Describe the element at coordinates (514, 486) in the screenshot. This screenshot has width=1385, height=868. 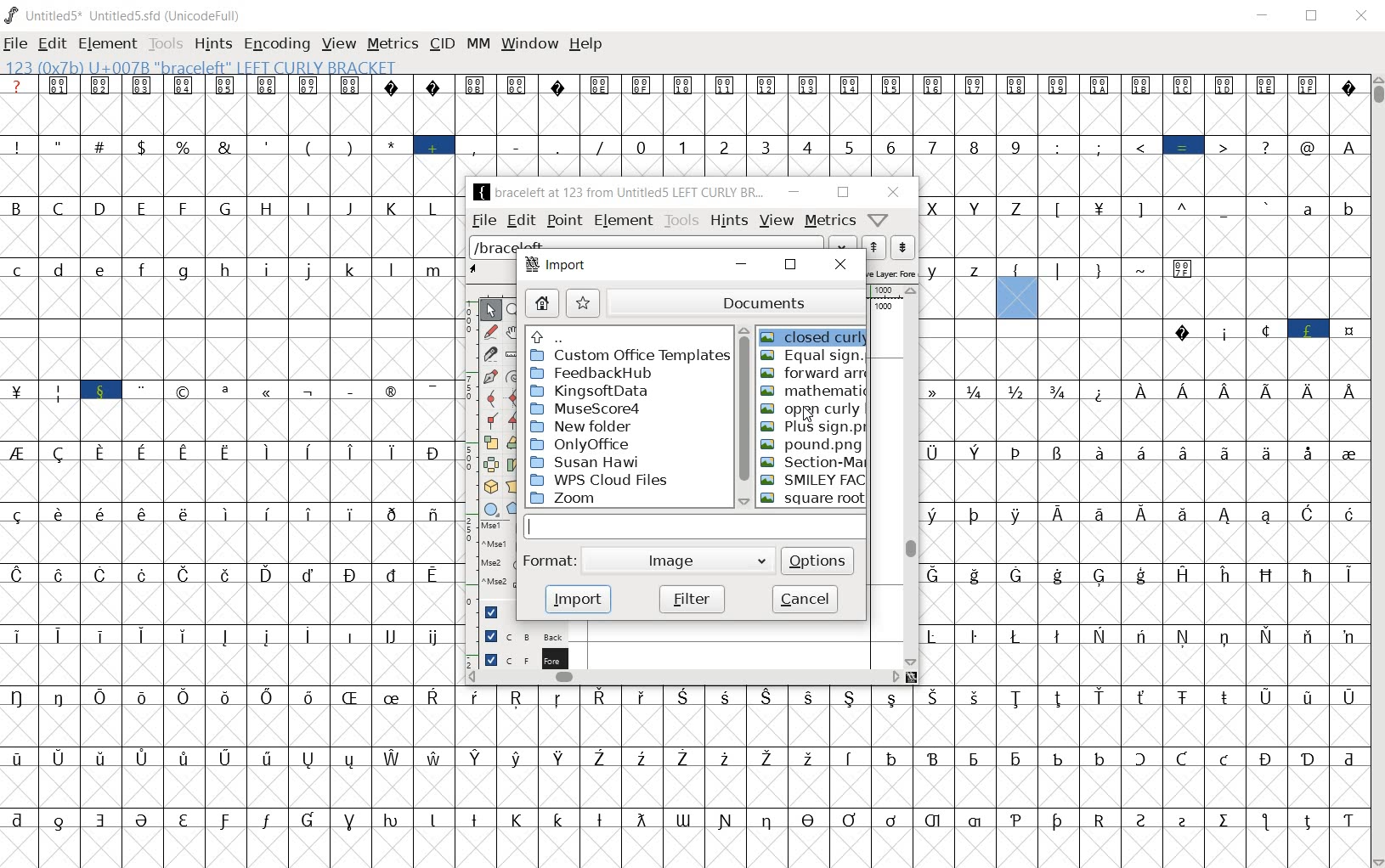
I see `perform a perspective transformation on the selection` at that location.